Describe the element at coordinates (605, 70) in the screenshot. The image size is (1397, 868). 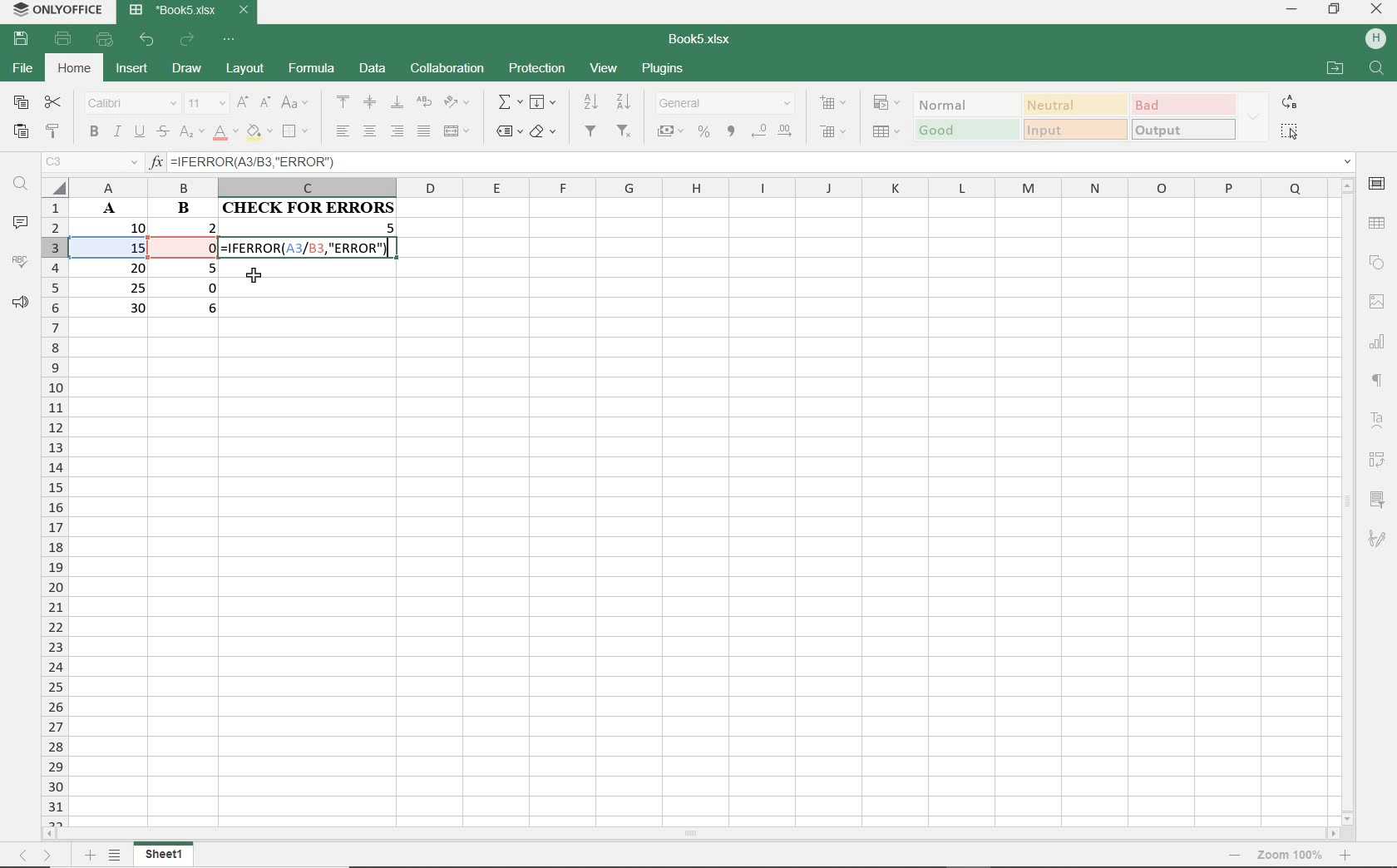
I see `VIEW` at that location.